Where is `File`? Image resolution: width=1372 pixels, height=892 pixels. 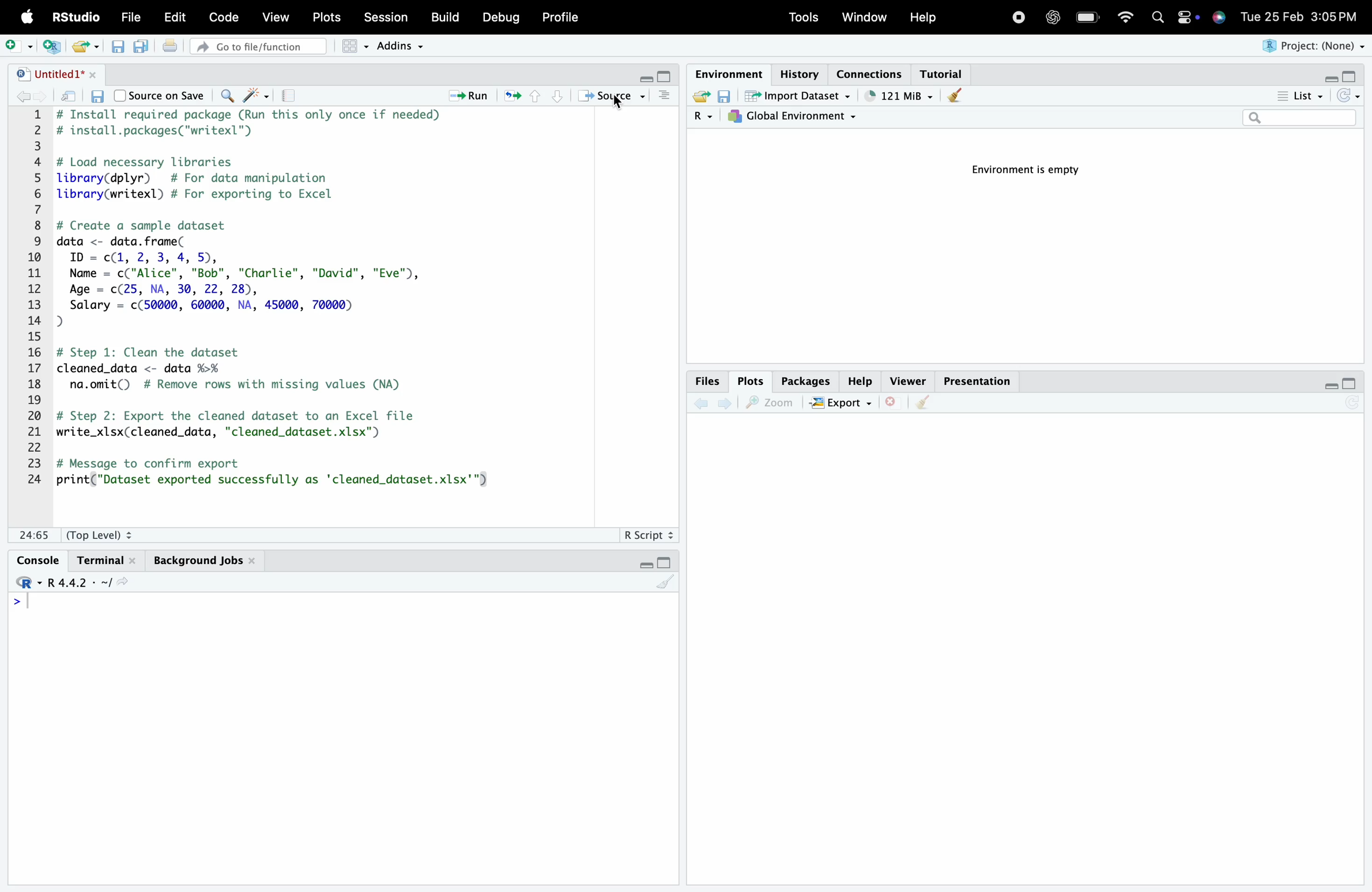
File is located at coordinates (133, 18).